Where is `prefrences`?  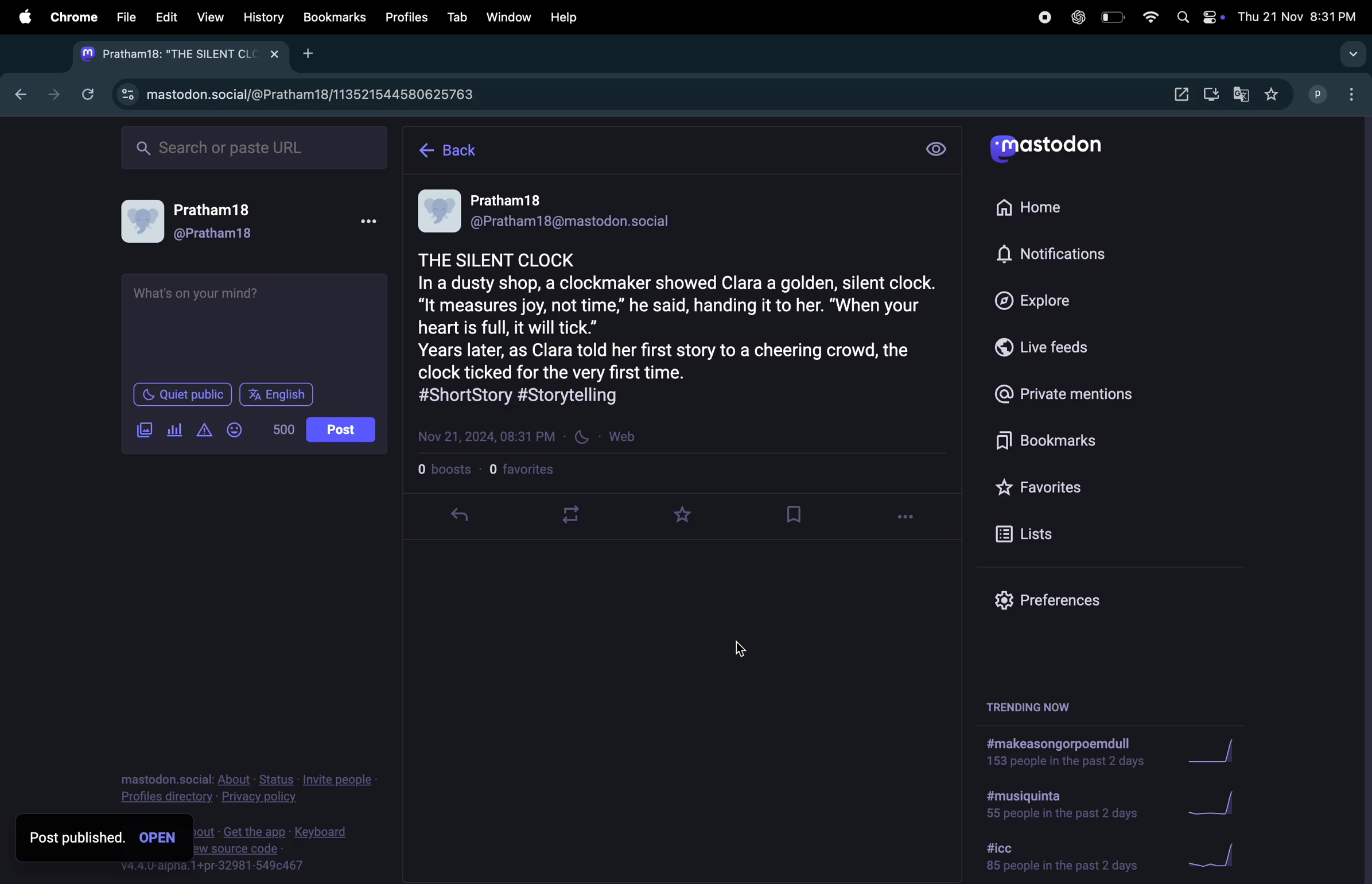
prefrences is located at coordinates (1069, 596).